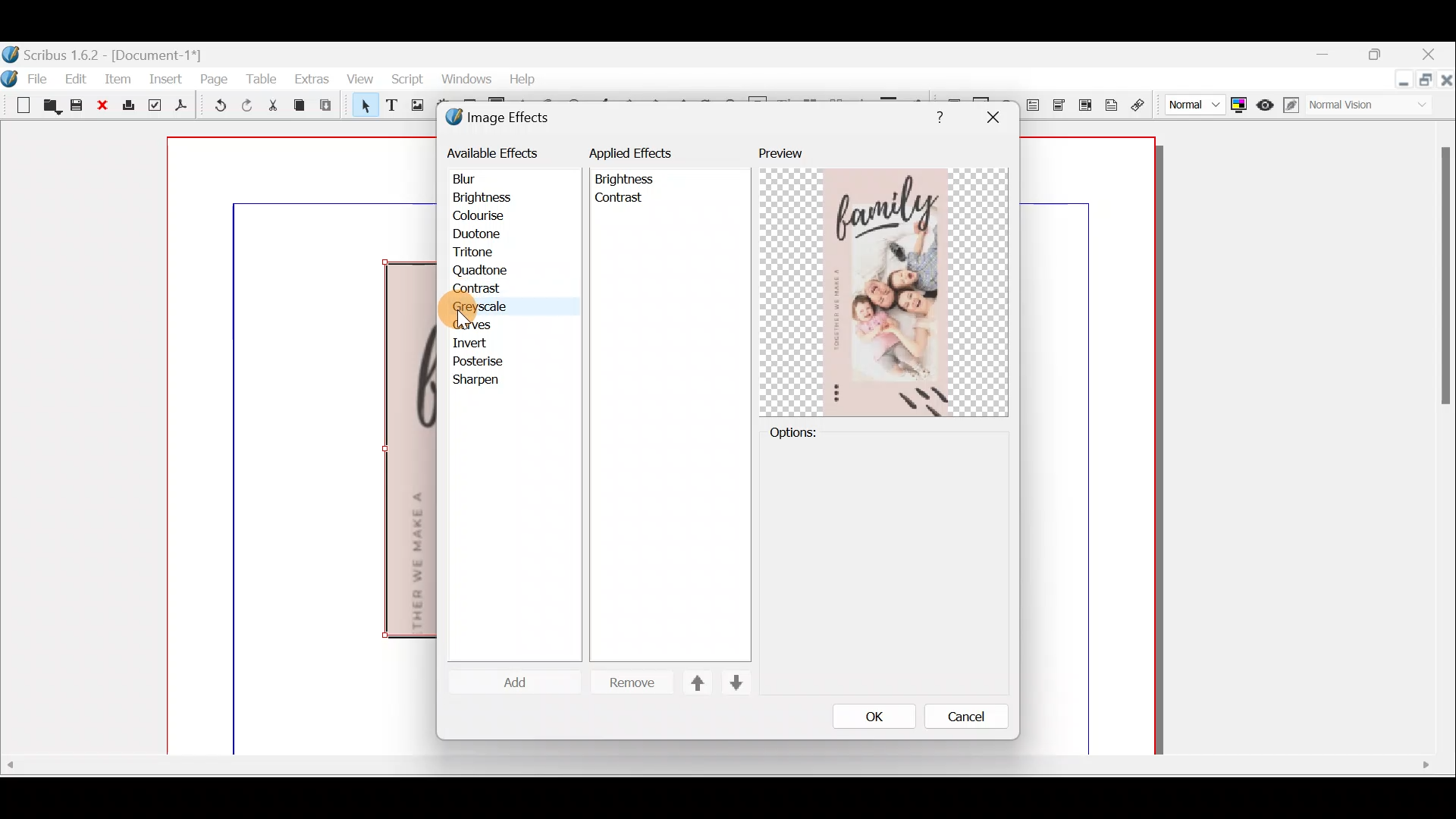  What do you see at coordinates (1316, 55) in the screenshot?
I see `Minimise` at bounding box center [1316, 55].